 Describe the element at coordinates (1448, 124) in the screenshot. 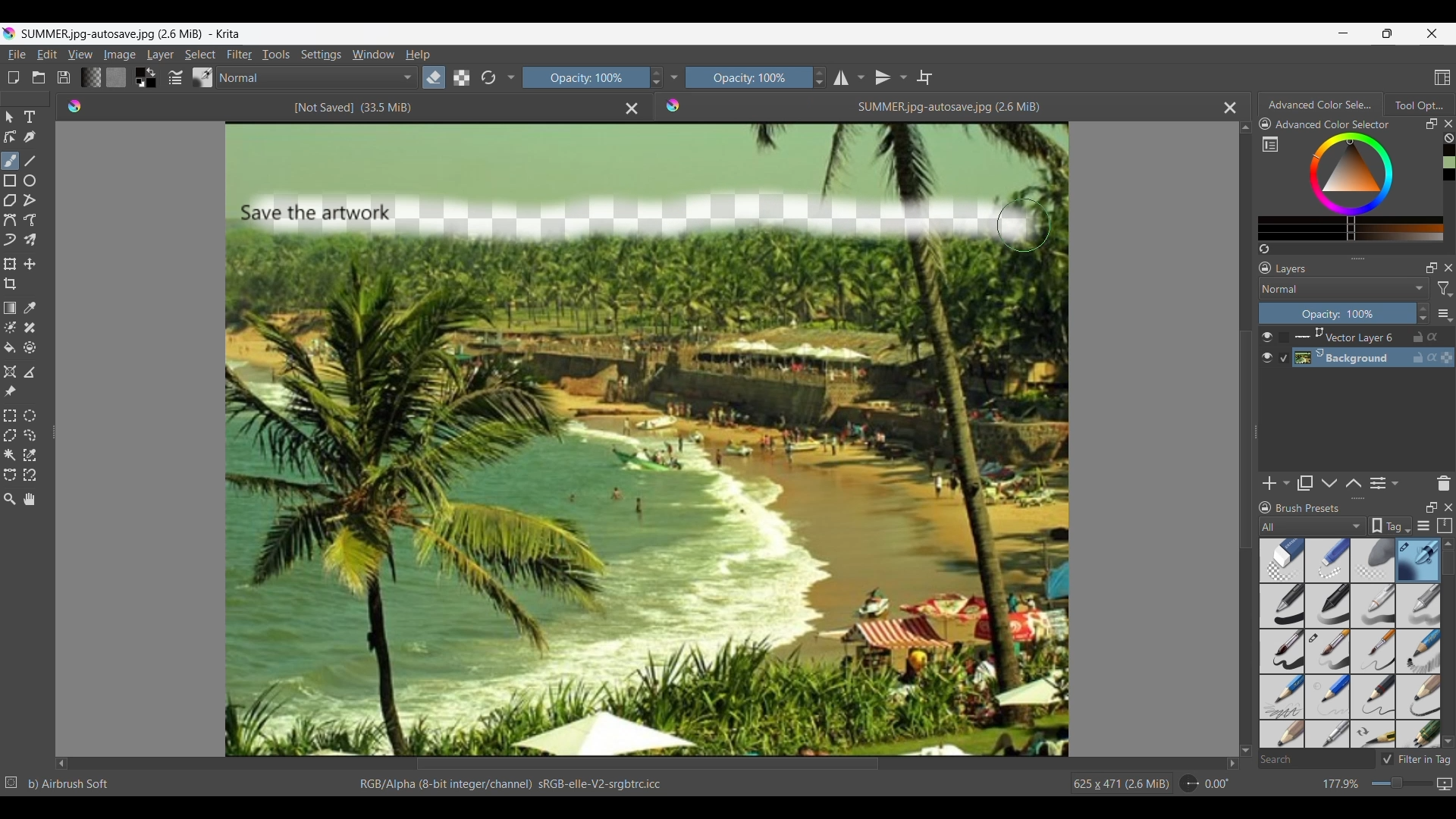

I see `Close color panel` at that location.